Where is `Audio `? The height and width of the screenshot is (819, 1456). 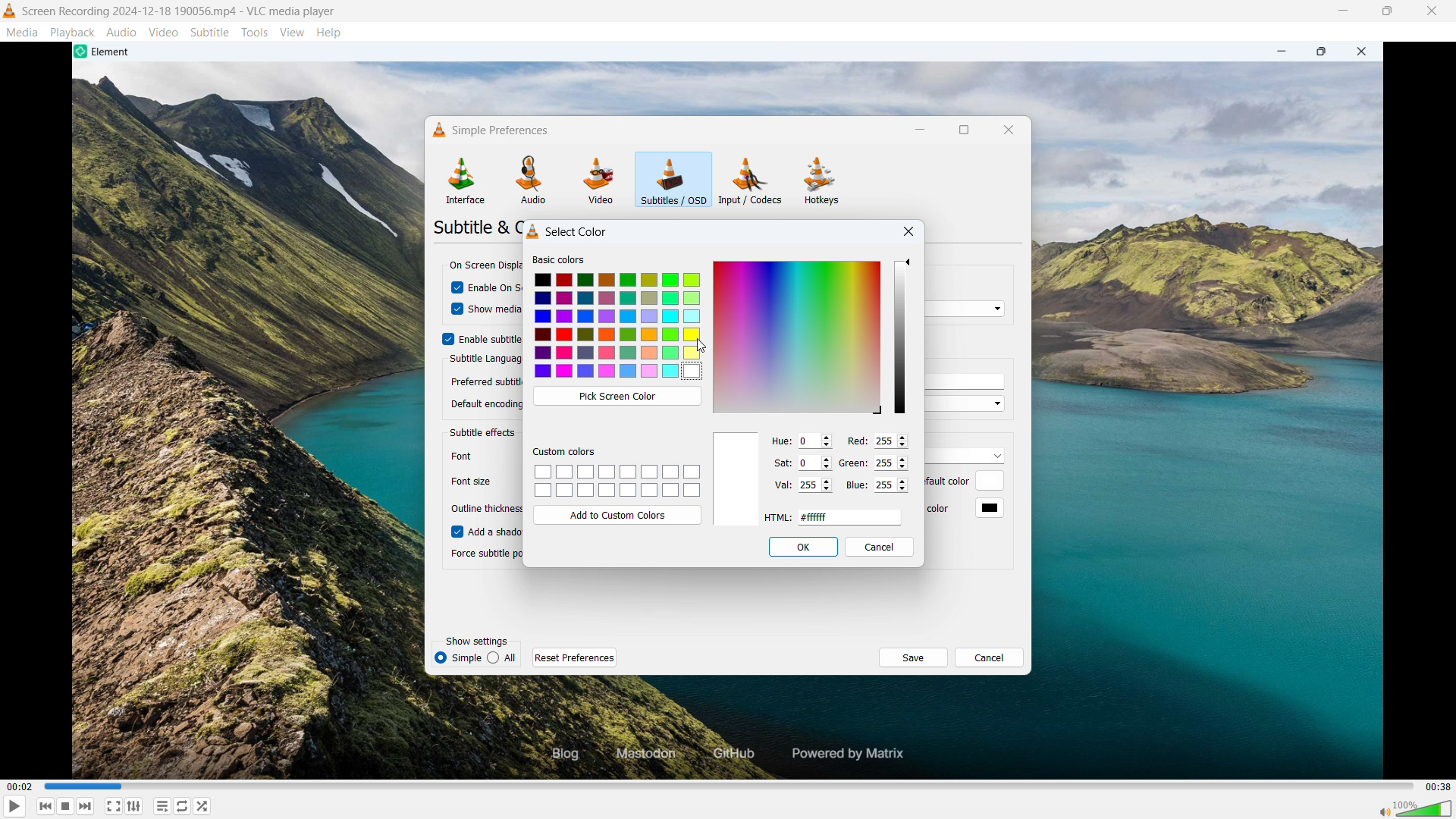 Audio  is located at coordinates (533, 180).